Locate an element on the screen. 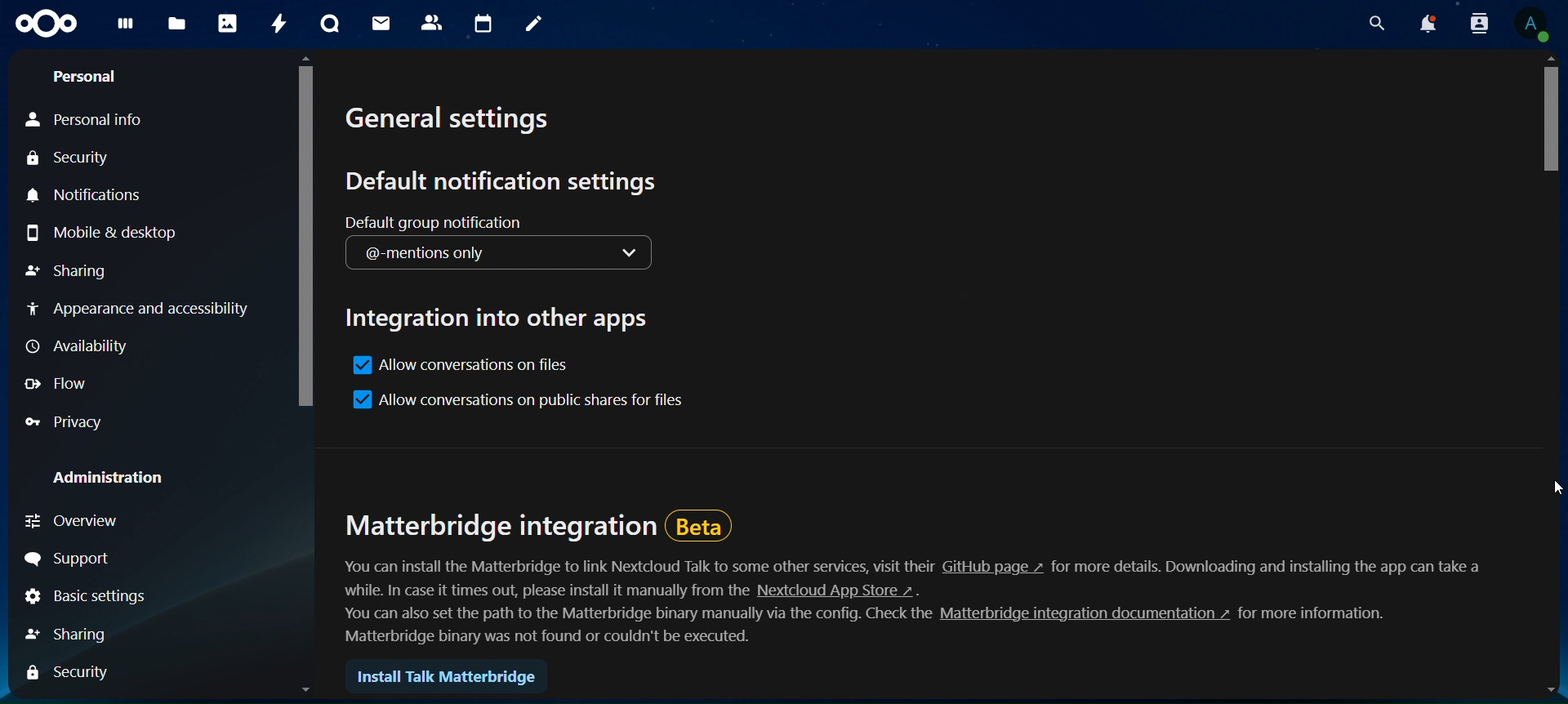  allow conversations on files is located at coordinates (466, 368).